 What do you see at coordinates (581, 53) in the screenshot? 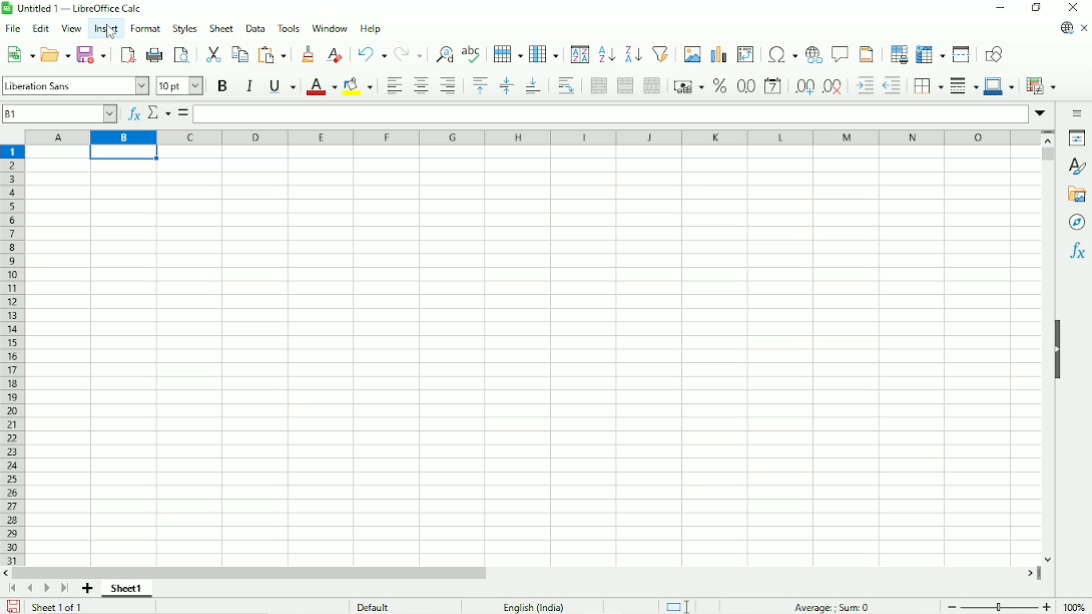
I see `Sort` at bounding box center [581, 53].